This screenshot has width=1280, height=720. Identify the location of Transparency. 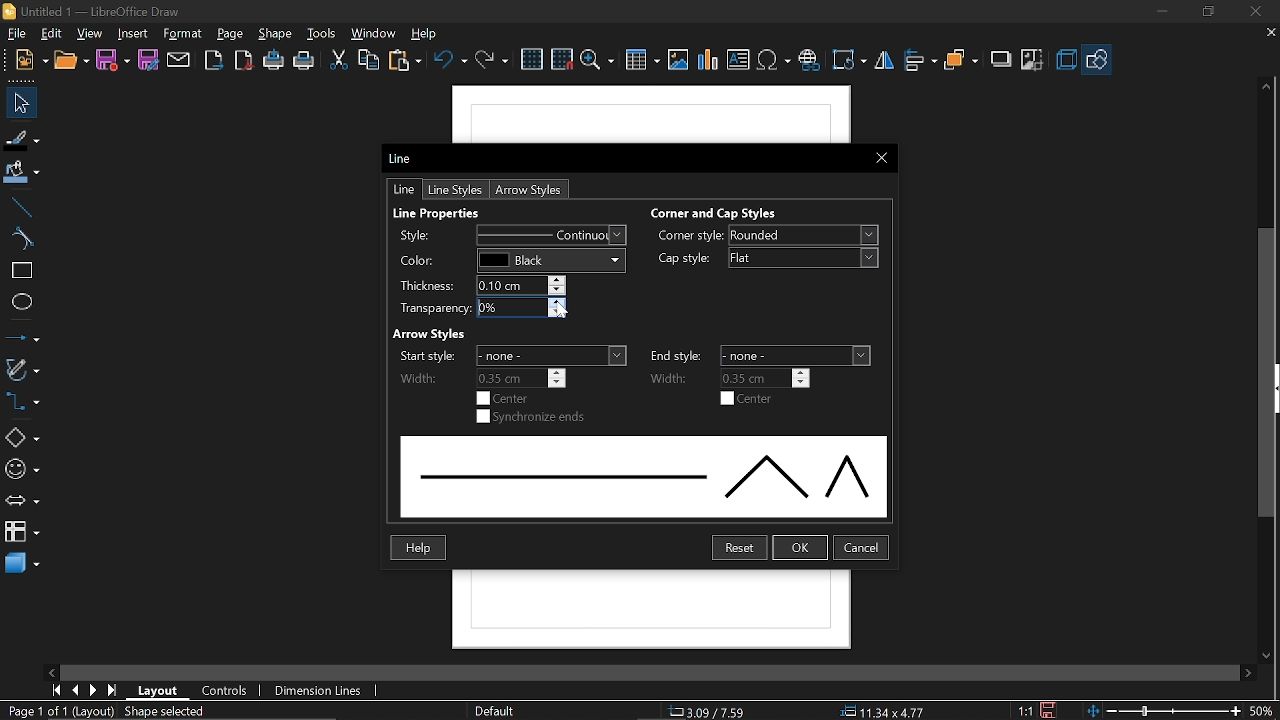
(479, 307).